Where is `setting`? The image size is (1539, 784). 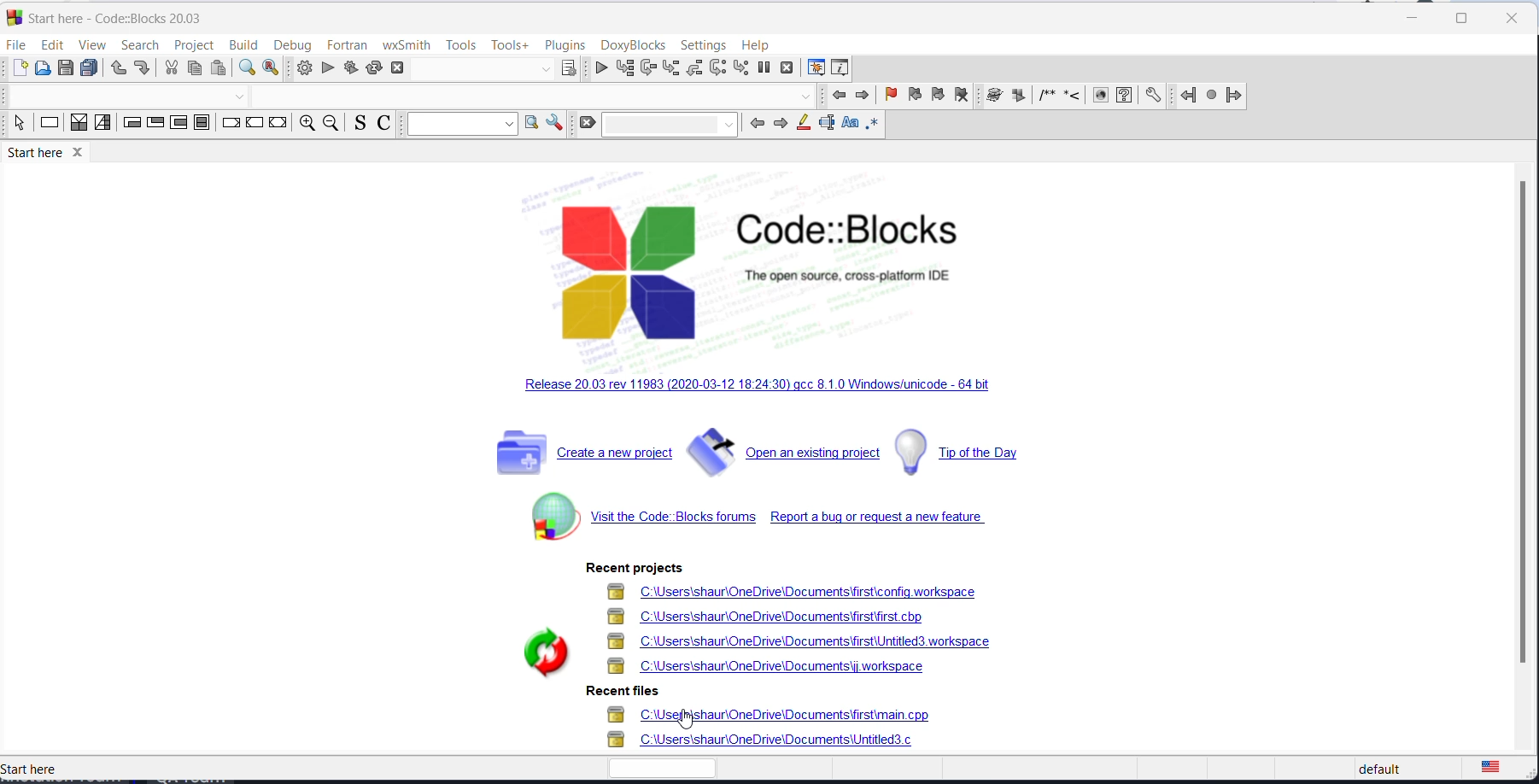 setting is located at coordinates (1152, 97).